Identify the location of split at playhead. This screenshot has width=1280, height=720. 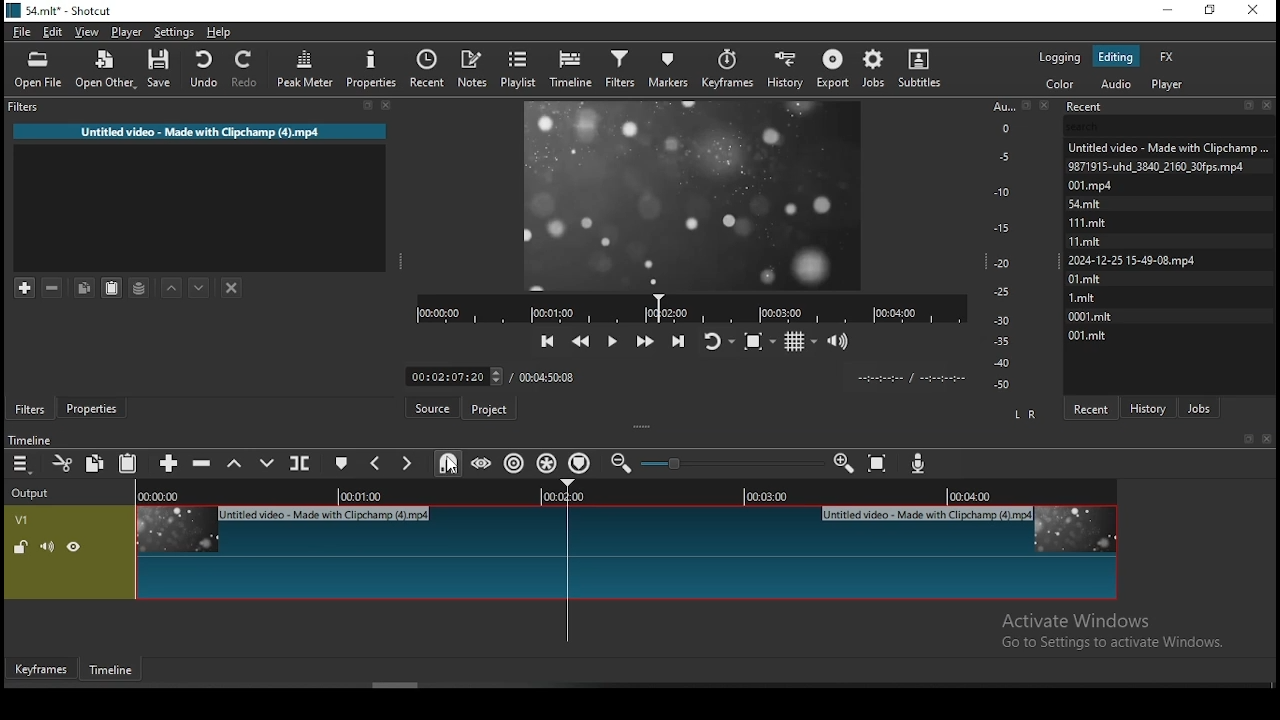
(299, 462).